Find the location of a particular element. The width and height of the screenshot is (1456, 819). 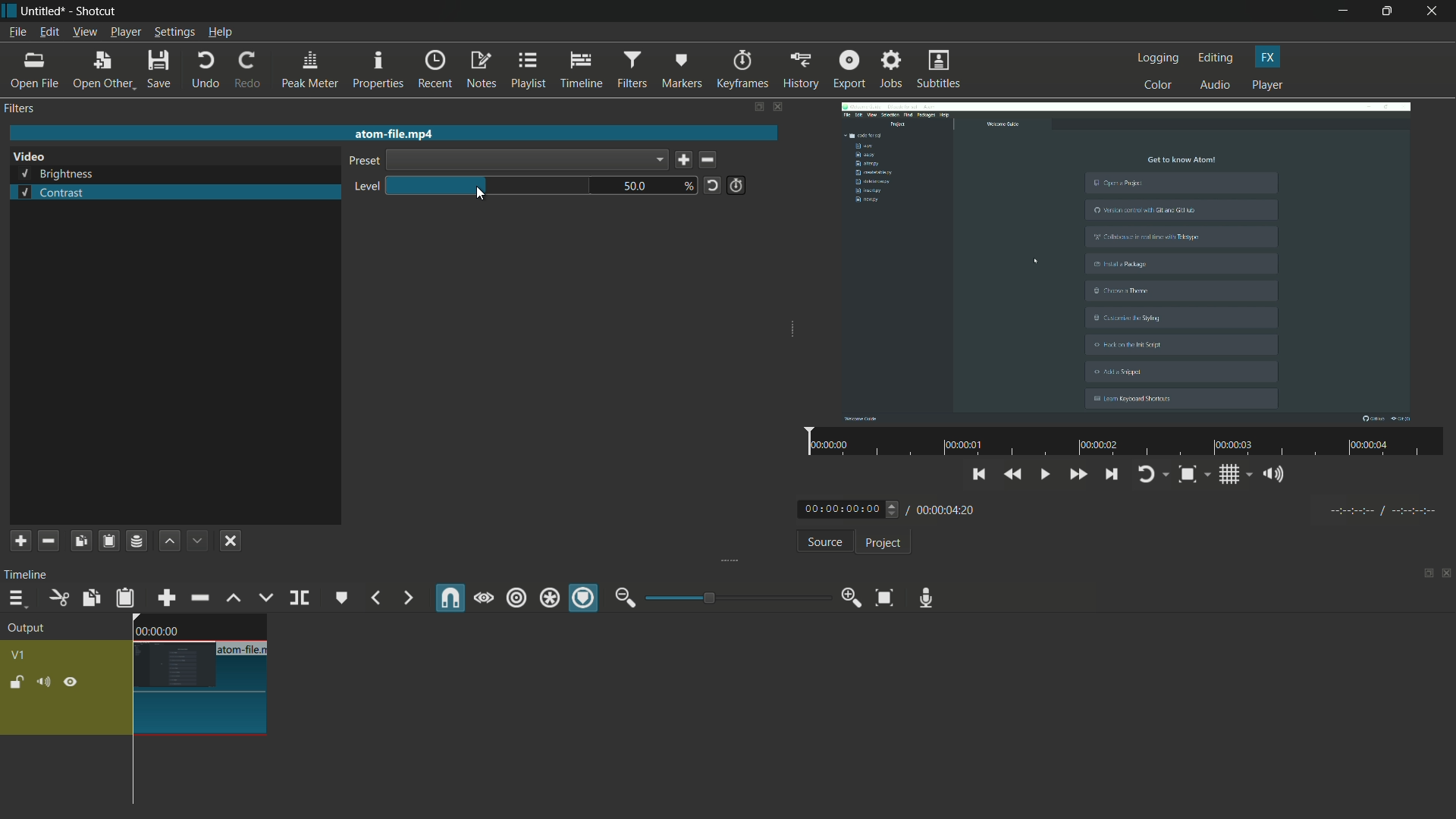

show tabs is located at coordinates (1423, 575).